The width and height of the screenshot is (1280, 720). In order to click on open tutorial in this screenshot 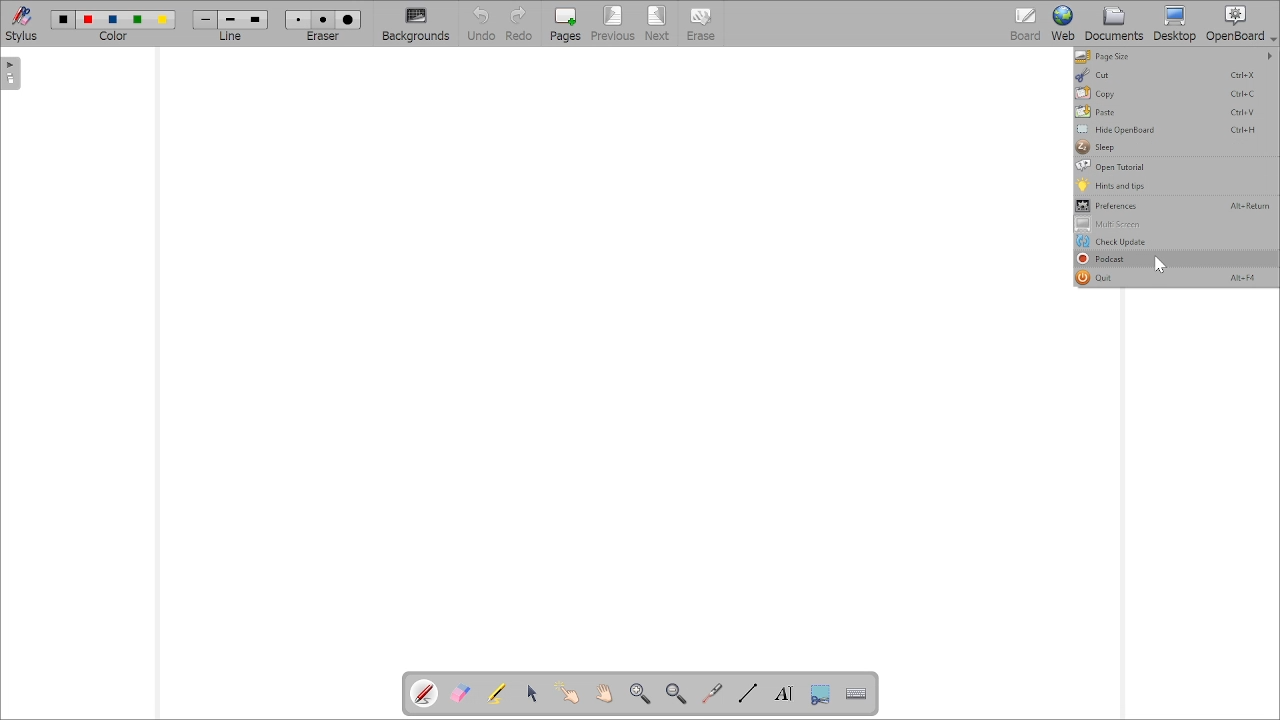, I will do `click(1174, 166)`.